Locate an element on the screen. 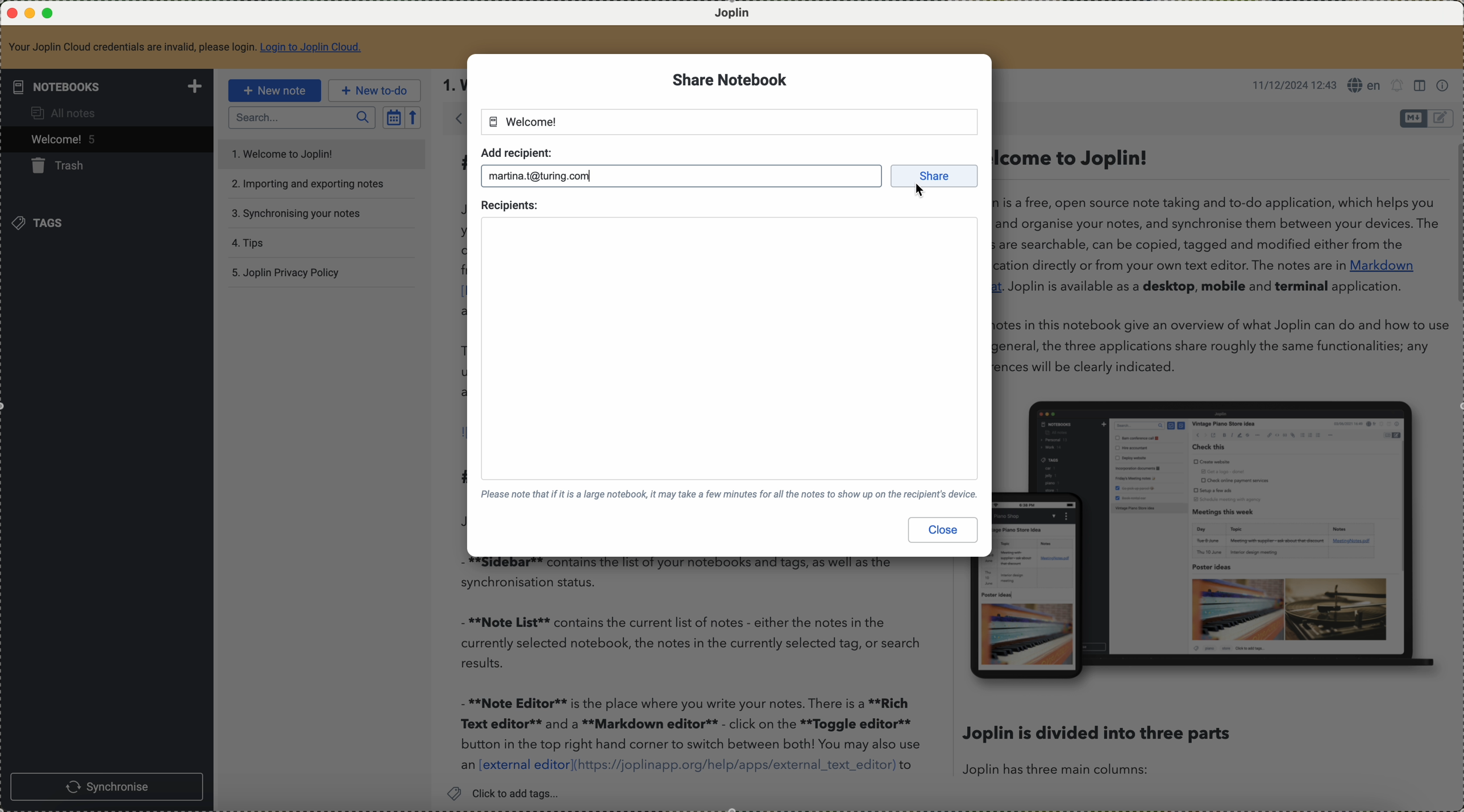 The width and height of the screenshot is (1464, 812). set alarm is located at coordinates (1398, 86).